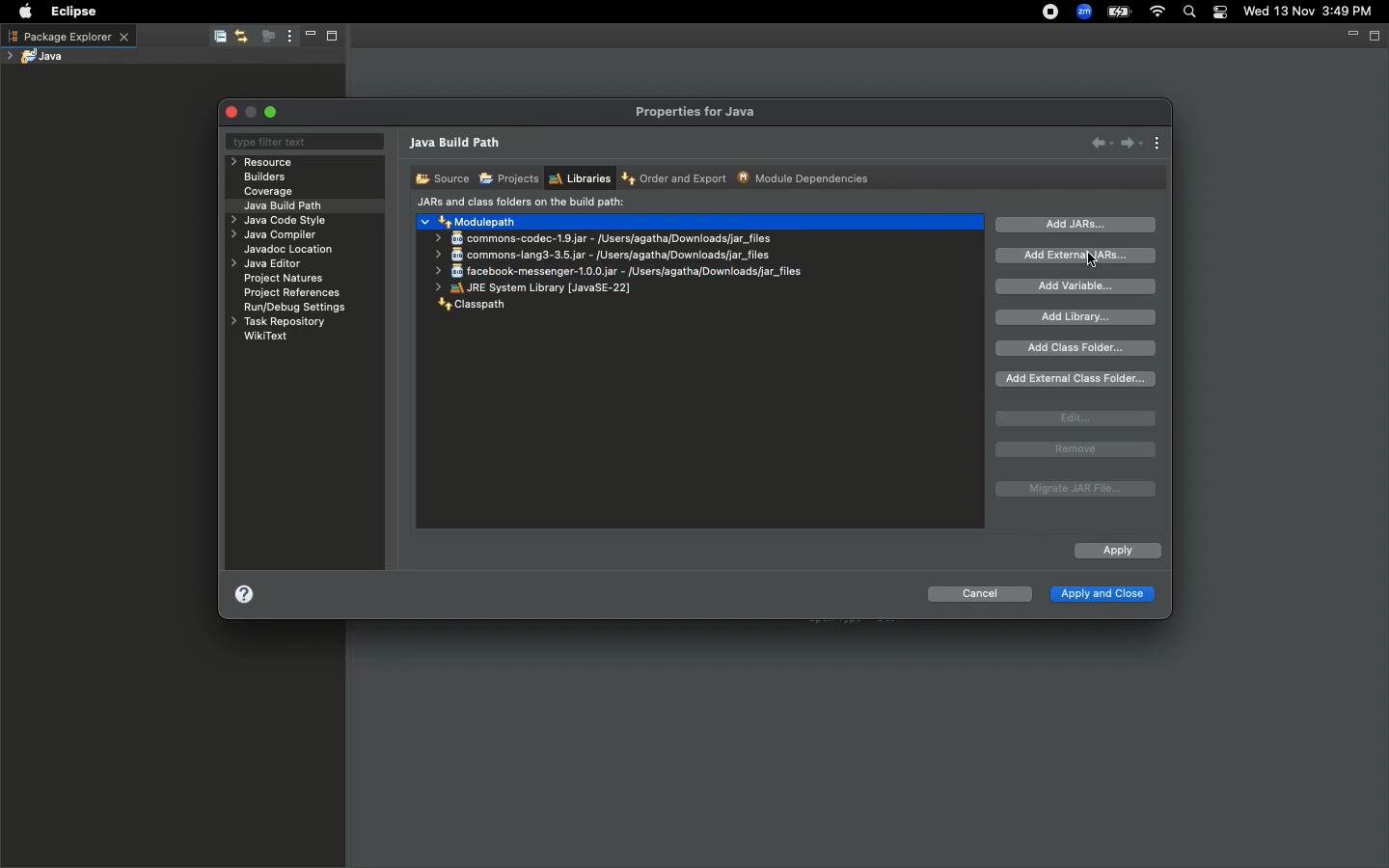 The width and height of the screenshot is (1389, 868). Describe the element at coordinates (69, 12) in the screenshot. I see `Eclipse` at that location.